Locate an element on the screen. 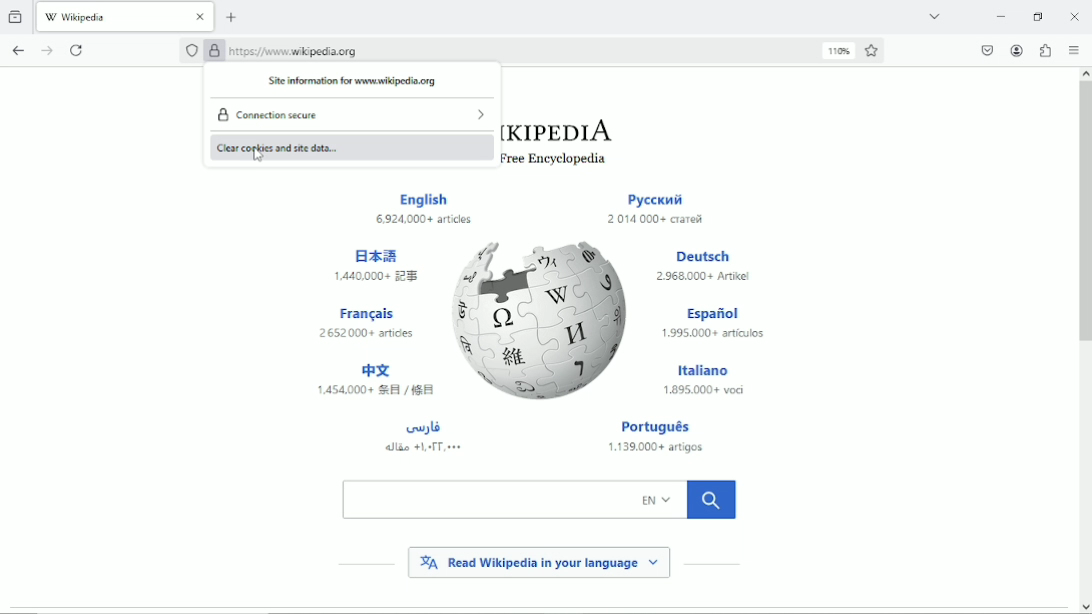 This screenshot has height=614, width=1092. extensions is located at coordinates (1046, 50).